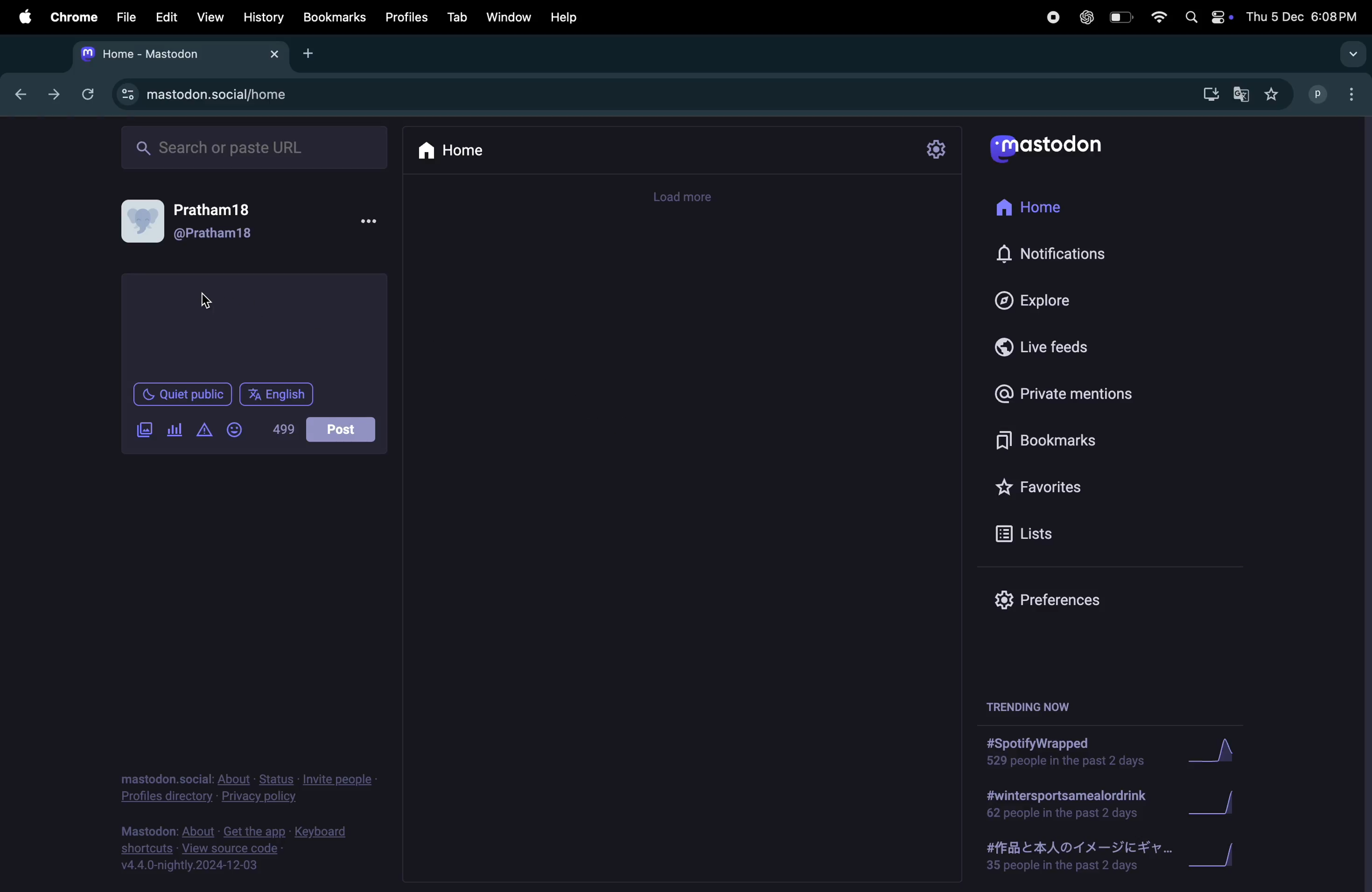  I want to click on private mentions, so click(1066, 394).